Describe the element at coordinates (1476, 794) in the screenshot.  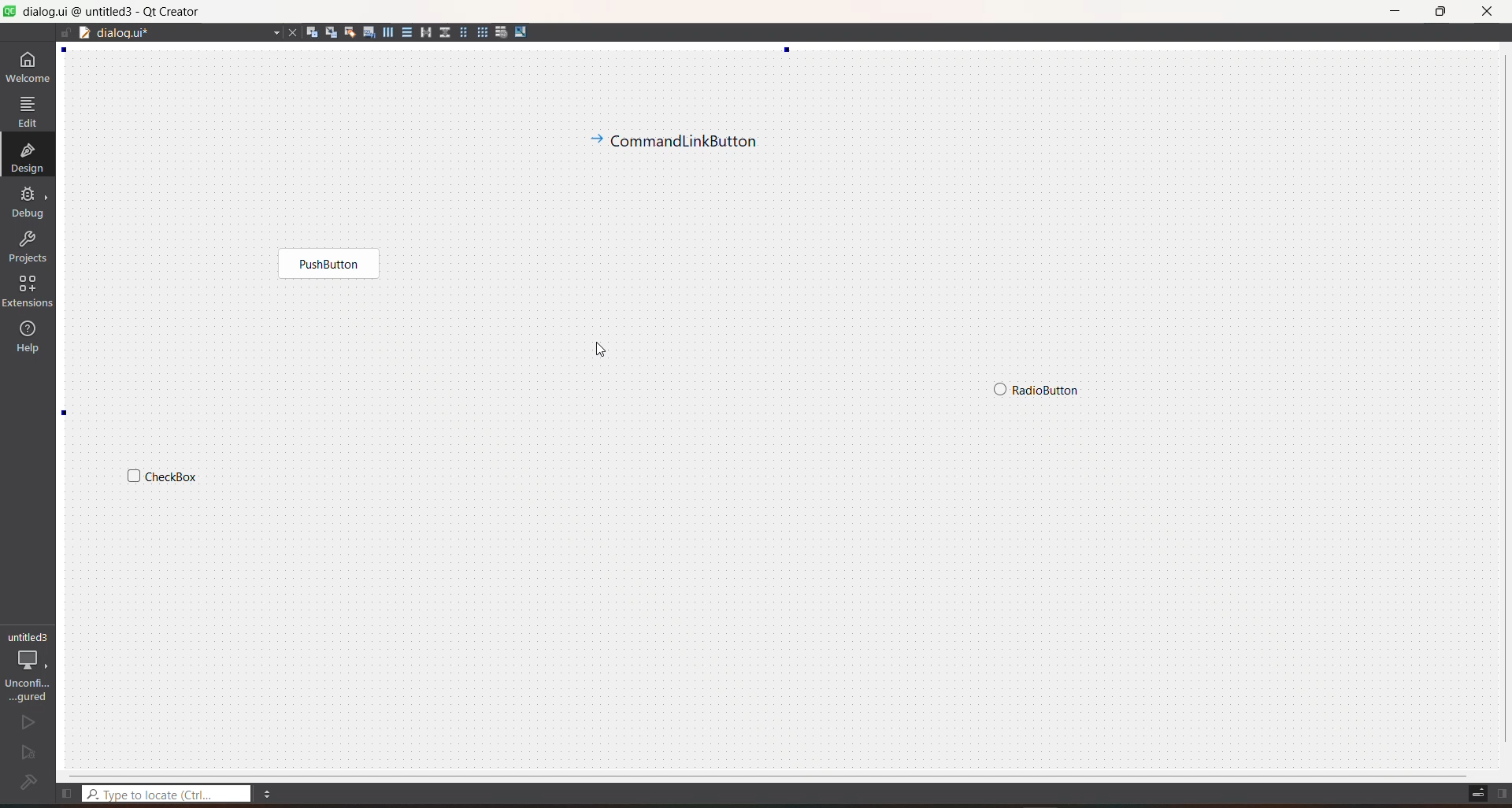
I see `toggle progress details` at that location.